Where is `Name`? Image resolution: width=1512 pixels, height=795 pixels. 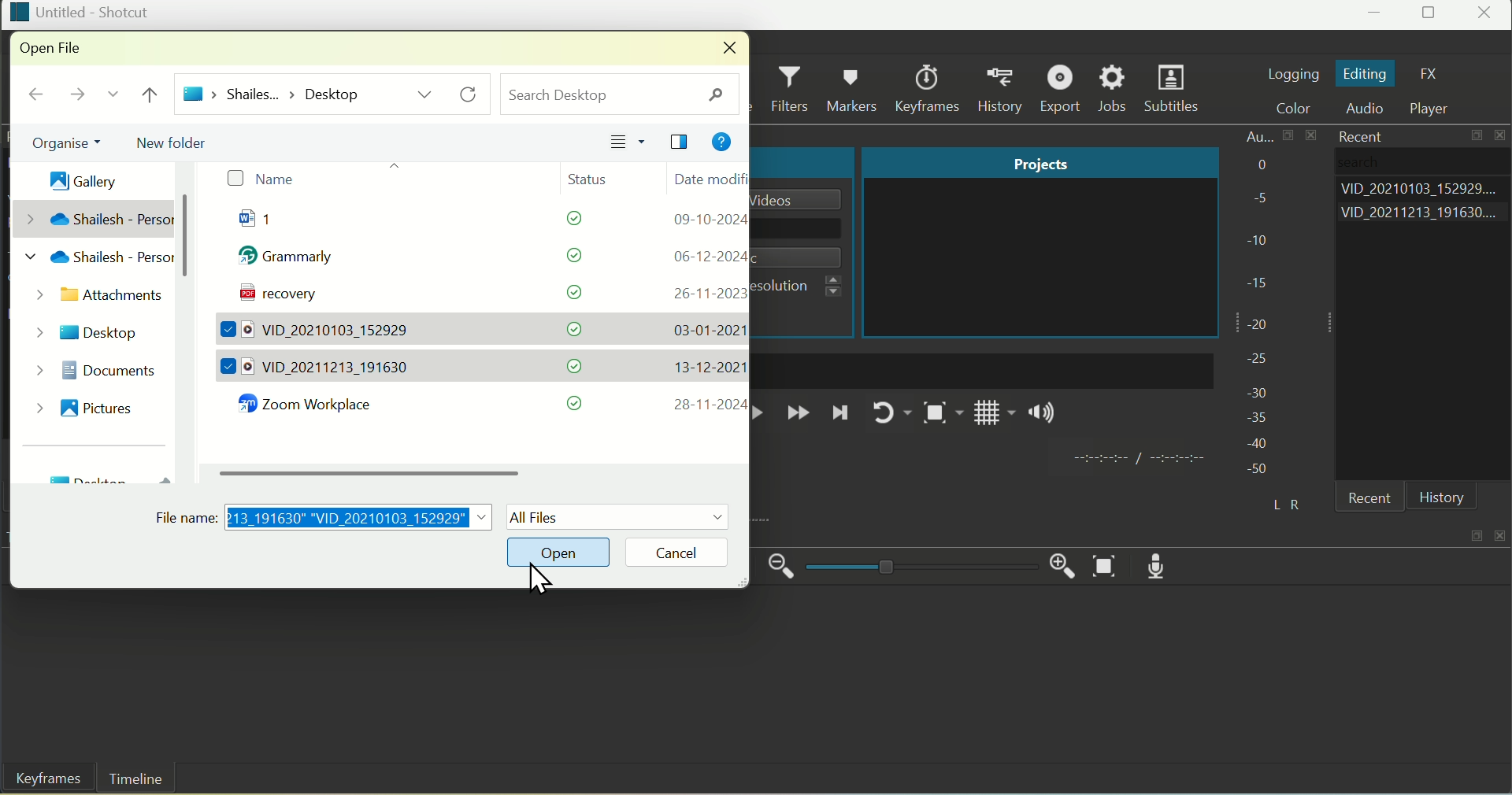
Name is located at coordinates (260, 179).